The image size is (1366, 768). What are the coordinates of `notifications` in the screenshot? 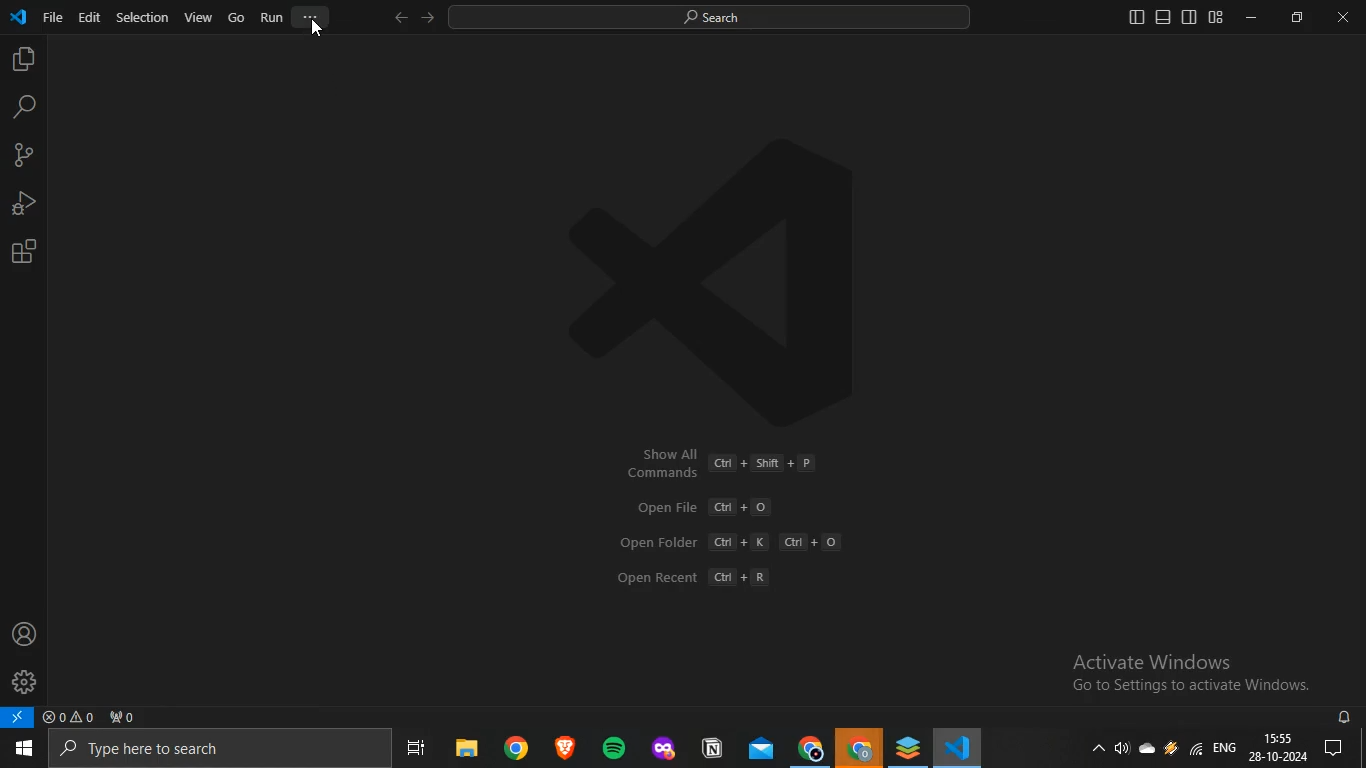 It's located at (1342, 749).